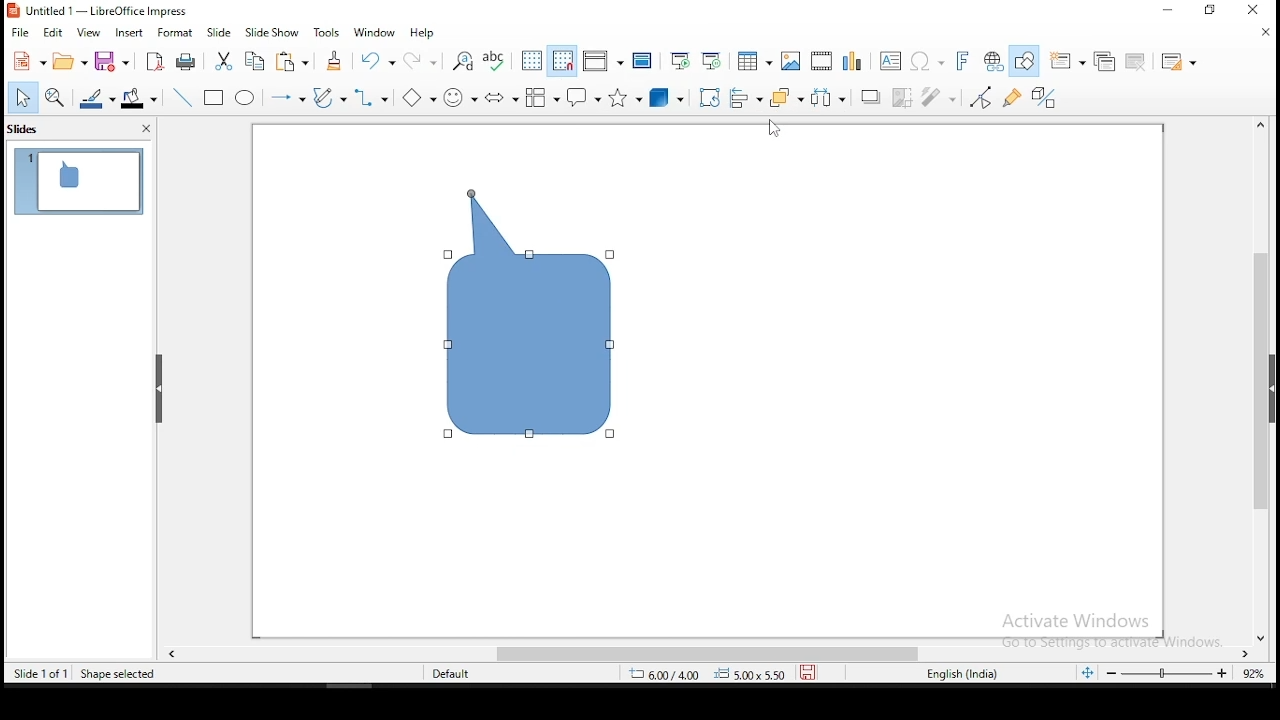 The height and width of the screenshot is (720, 1280). I want to click on tools, so click(327, 32).